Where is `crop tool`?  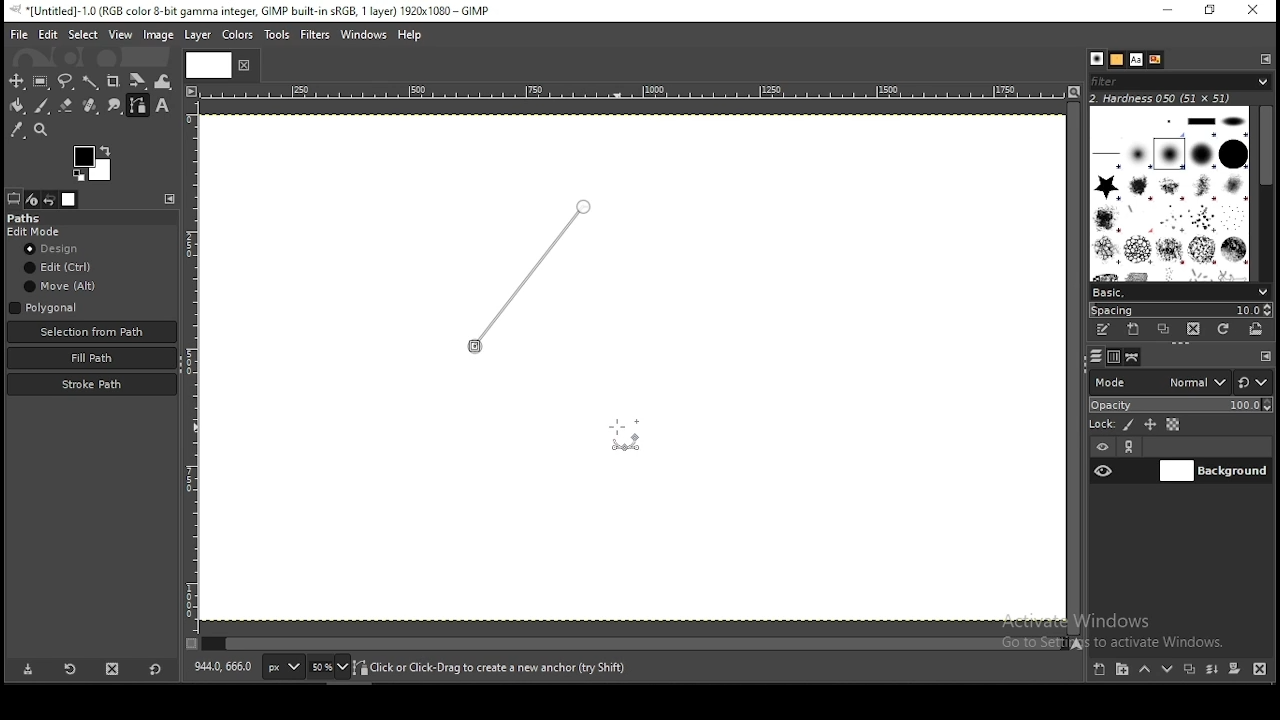
crop tool is located at coordinates (115, 80).